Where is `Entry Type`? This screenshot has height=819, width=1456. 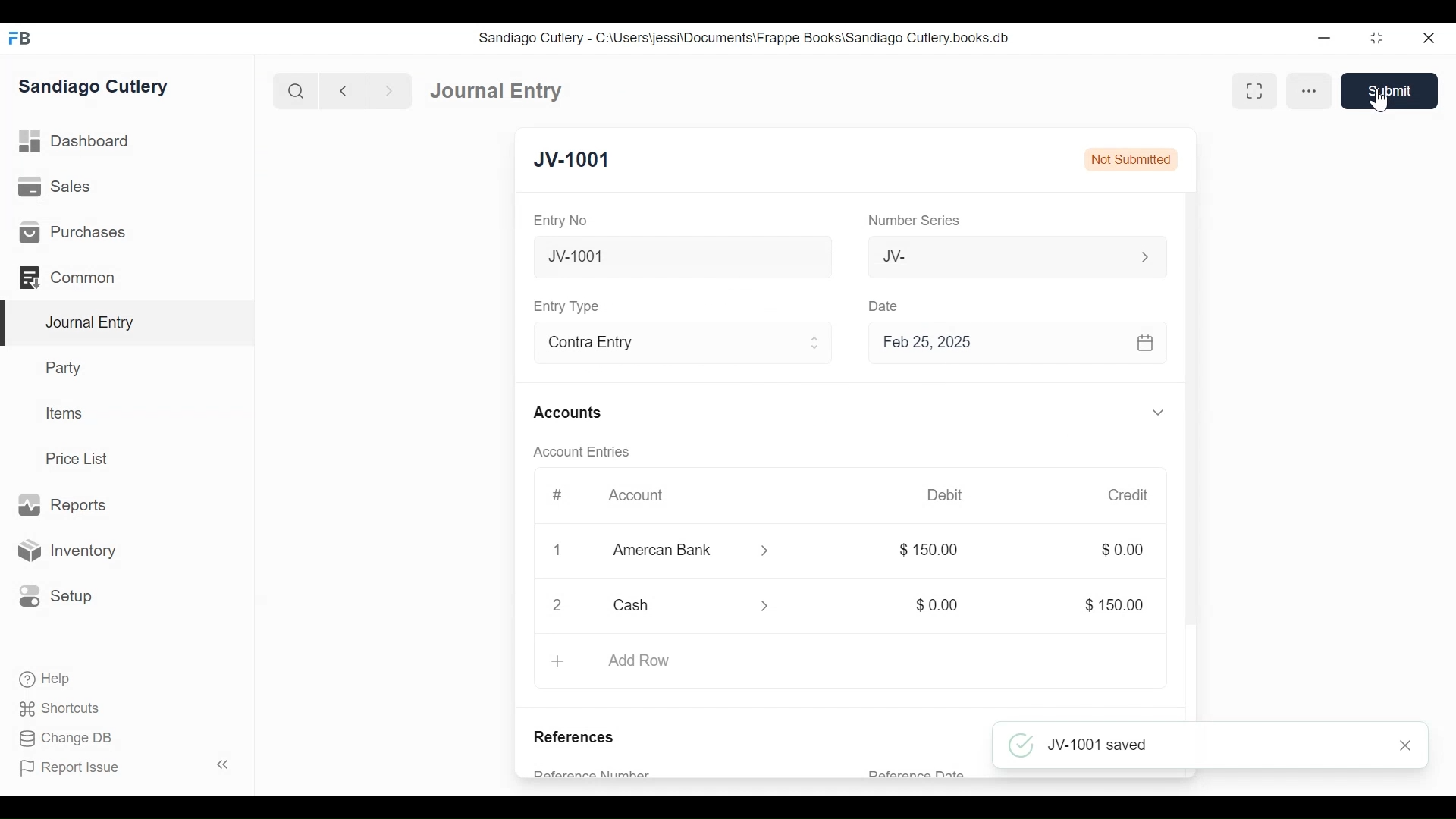
Entry Type is located at coordinates (569, 306).